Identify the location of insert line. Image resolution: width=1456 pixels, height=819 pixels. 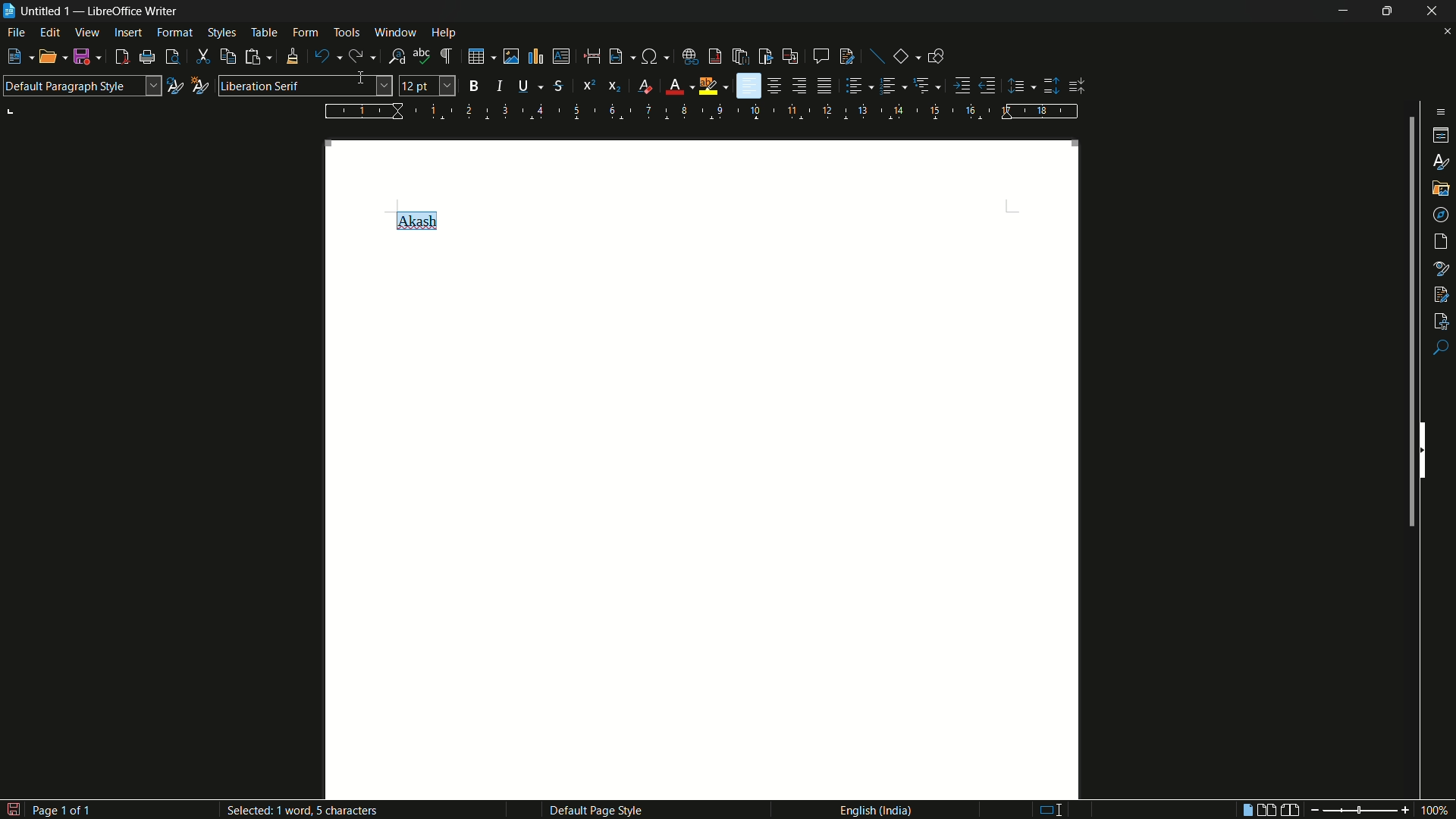
(878, 58).